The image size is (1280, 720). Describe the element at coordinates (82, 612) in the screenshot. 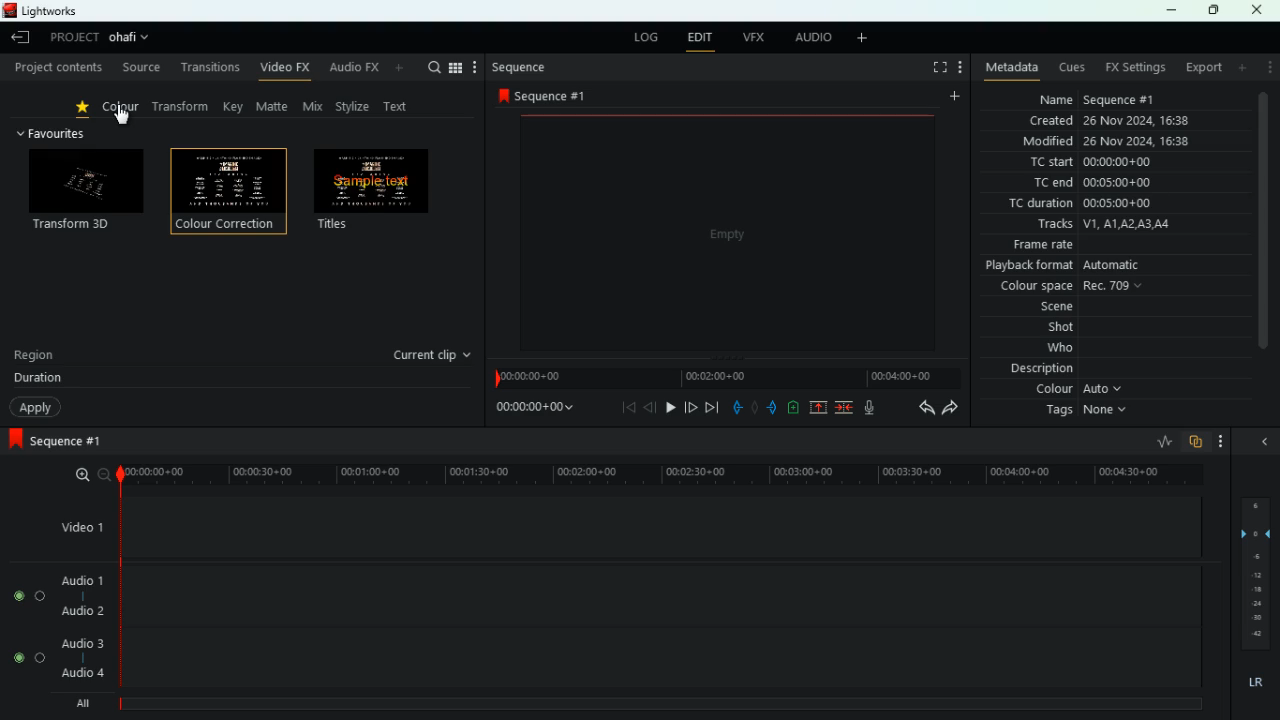

I see `audio 2` at that location.